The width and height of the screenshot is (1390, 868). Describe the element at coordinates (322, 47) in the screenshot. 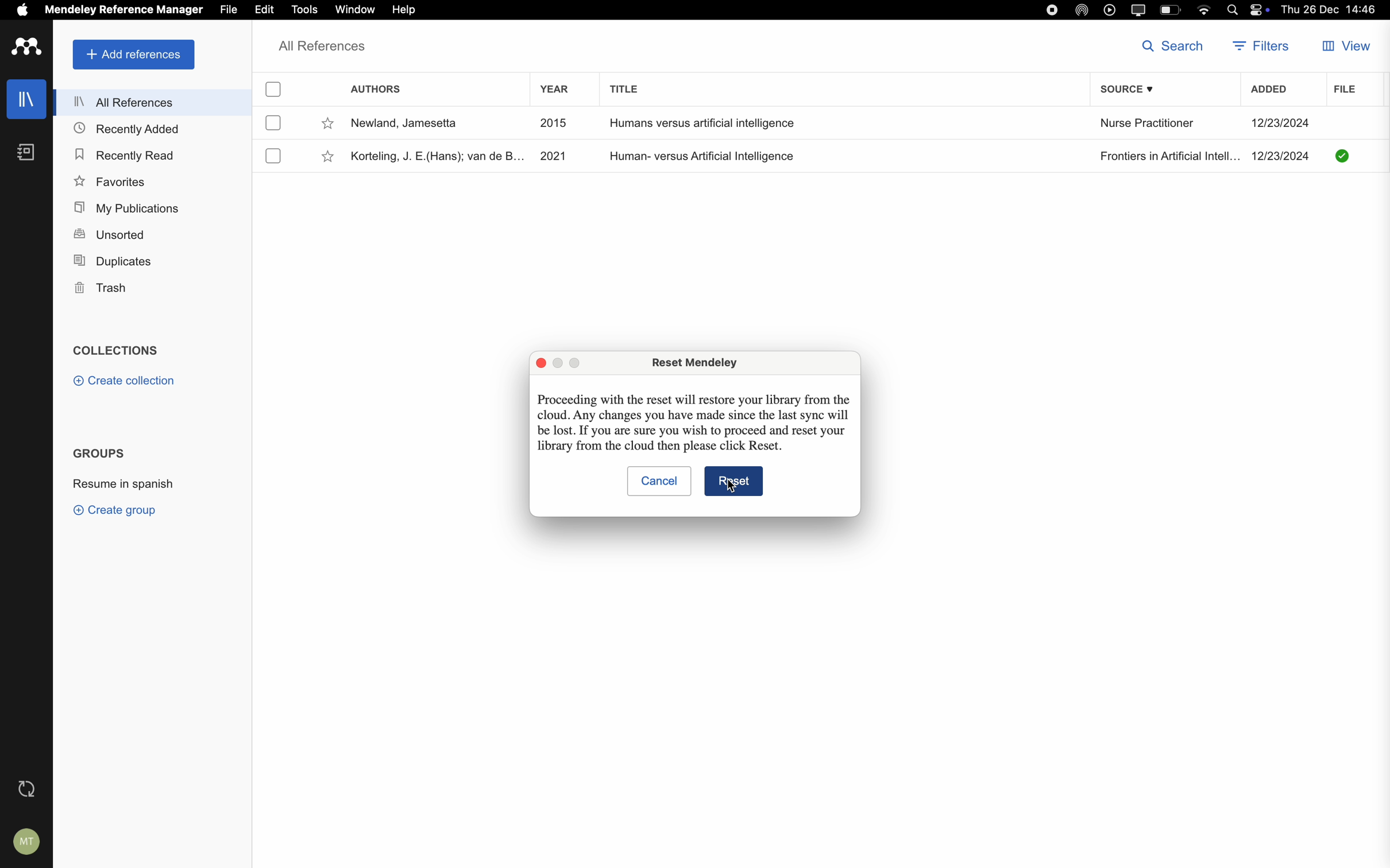

I see `all references` at that location.